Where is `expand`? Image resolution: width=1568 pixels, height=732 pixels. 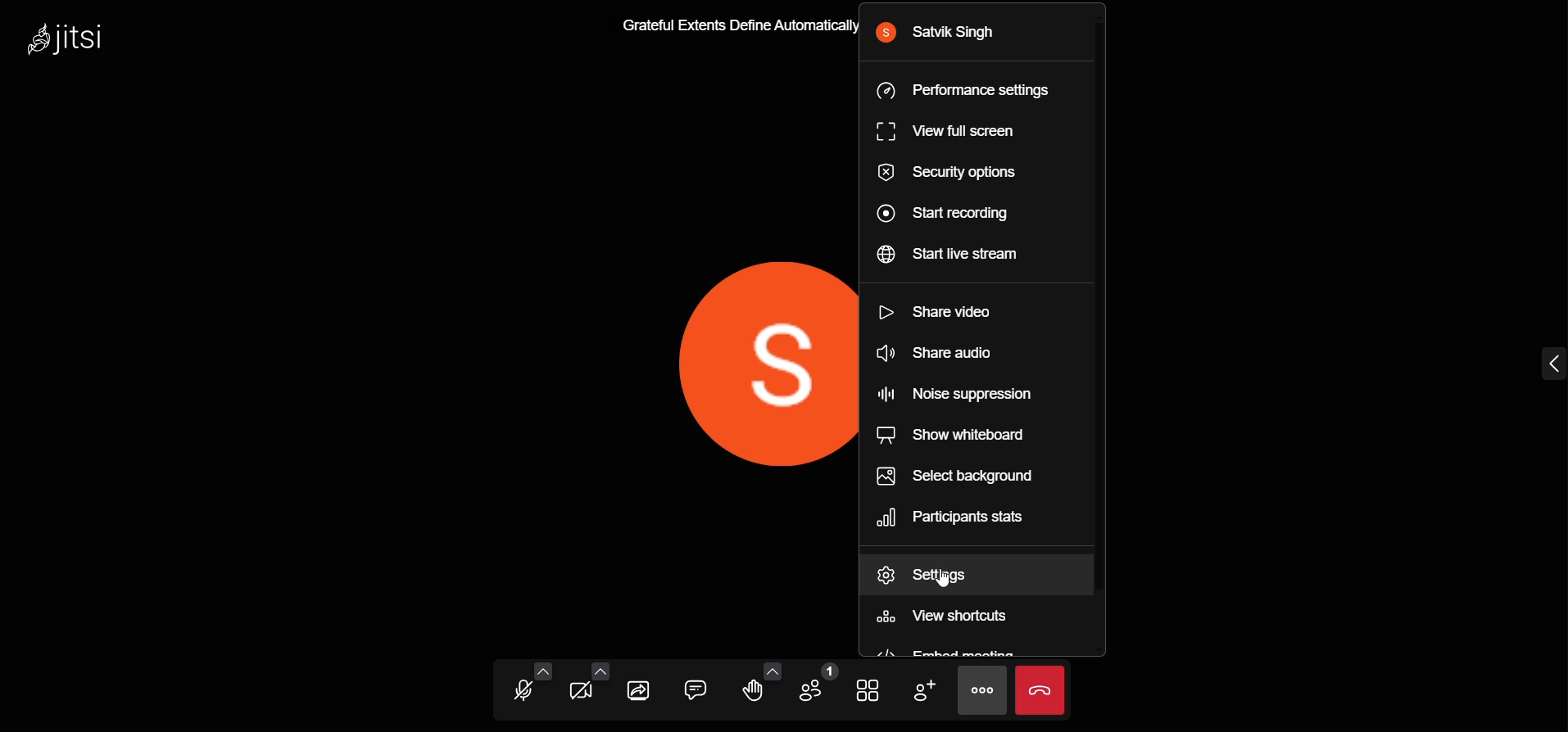
expand is located at coordinates (1547, 360).